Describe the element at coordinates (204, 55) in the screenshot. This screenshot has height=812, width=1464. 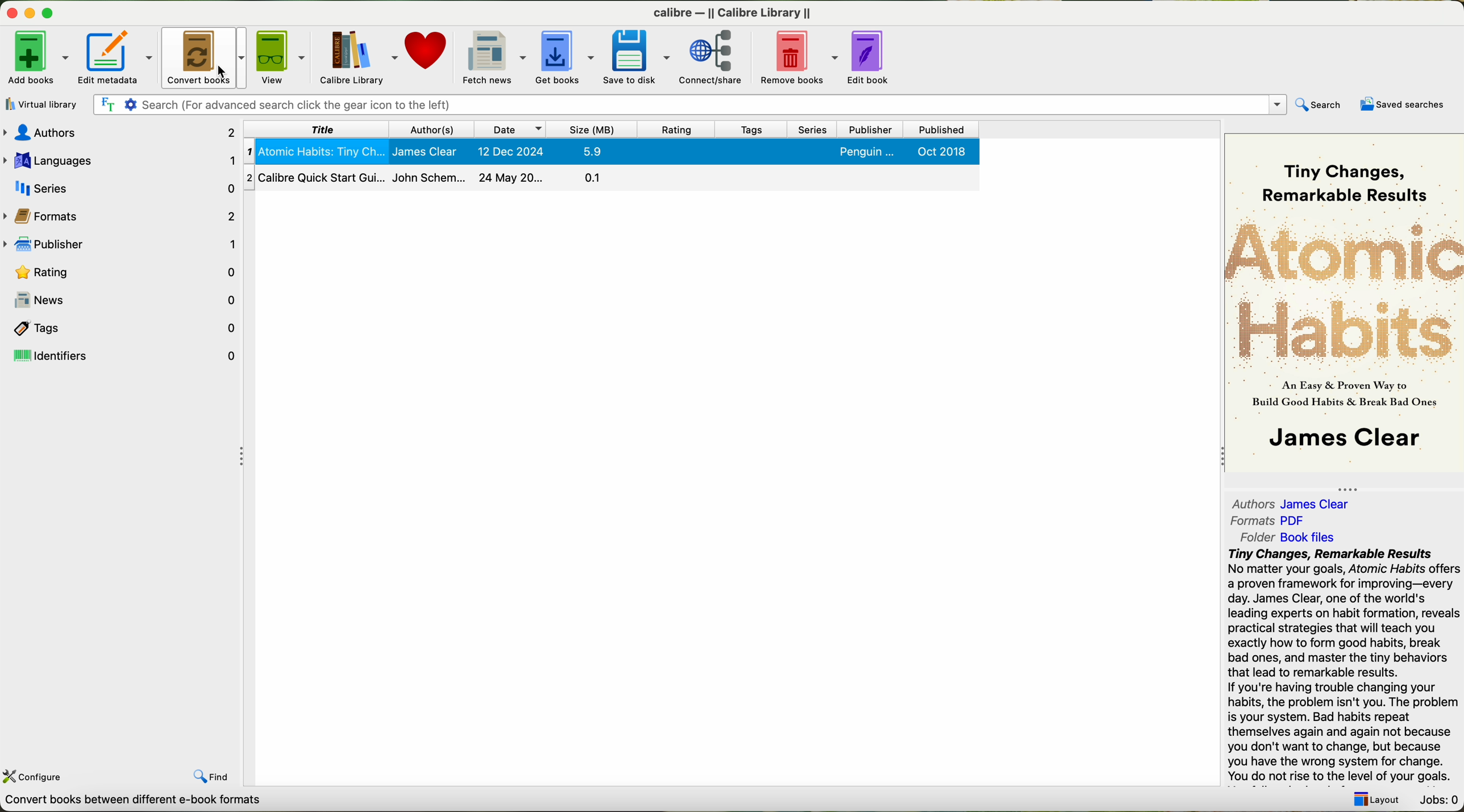
I see `convert books` at that location.